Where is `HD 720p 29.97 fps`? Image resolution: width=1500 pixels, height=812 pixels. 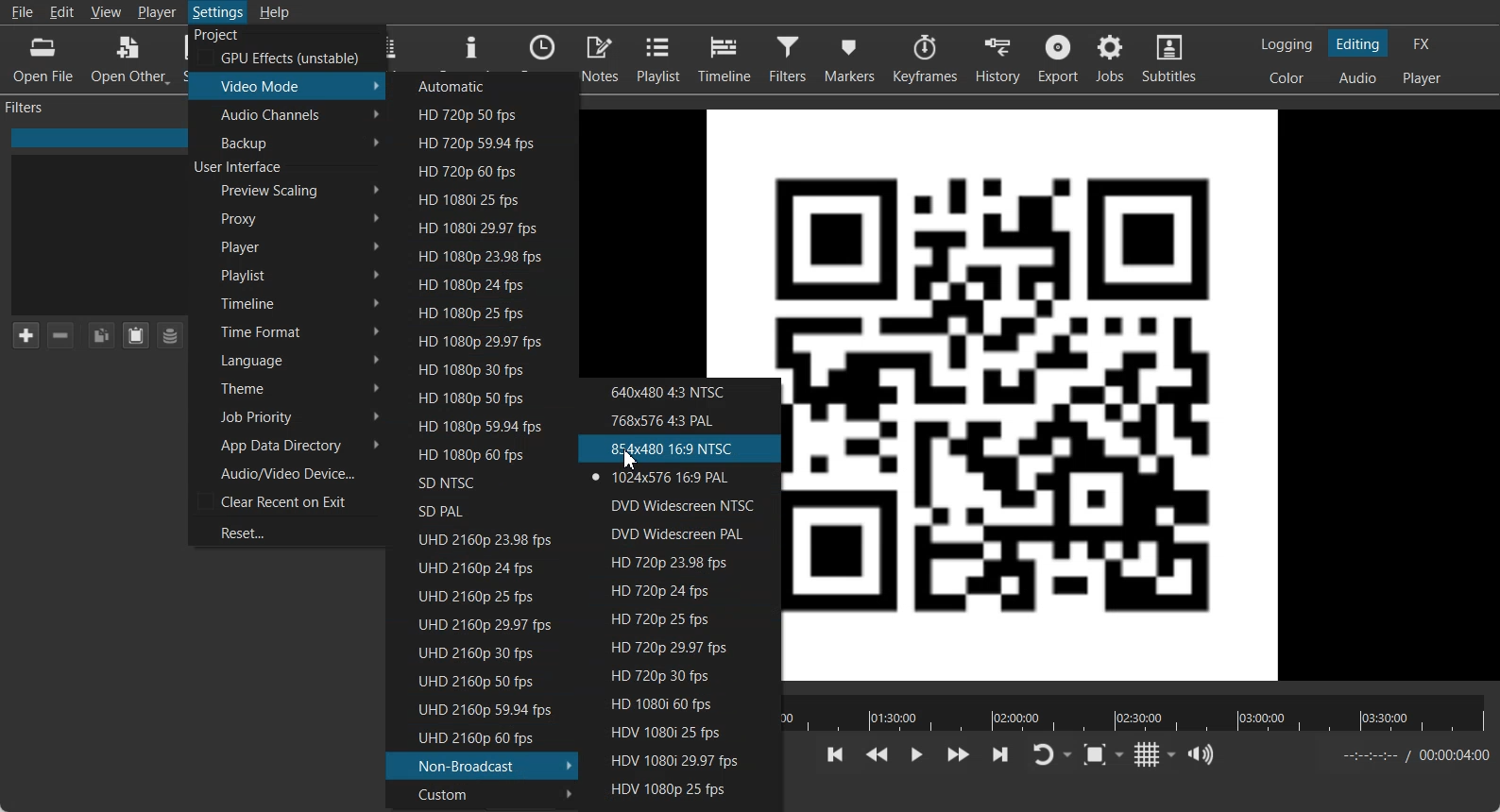 HD 720p 29.97 fps is located at coordinates (683, 648).